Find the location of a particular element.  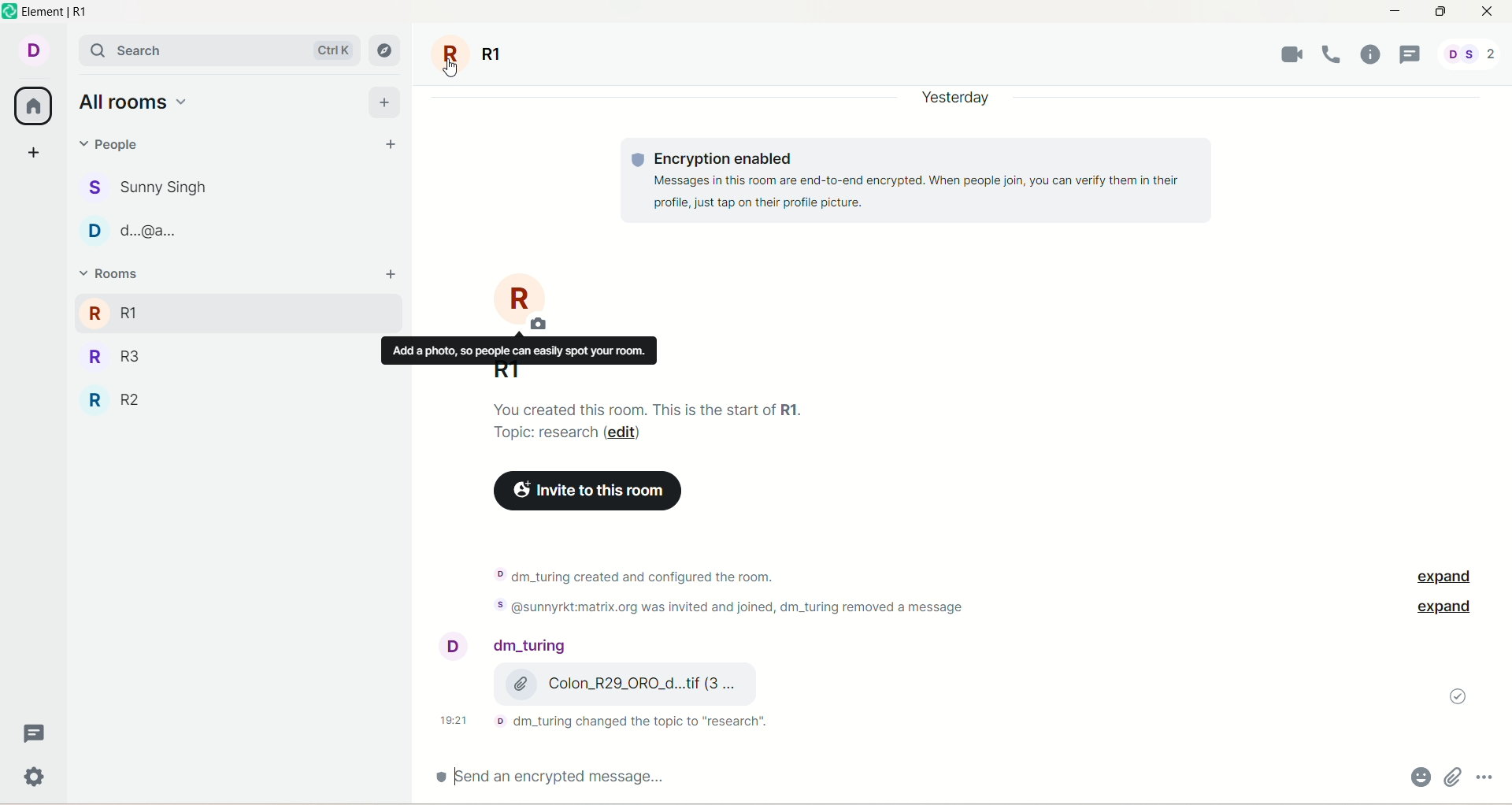

emoji is located at coordinates (1411, 775).